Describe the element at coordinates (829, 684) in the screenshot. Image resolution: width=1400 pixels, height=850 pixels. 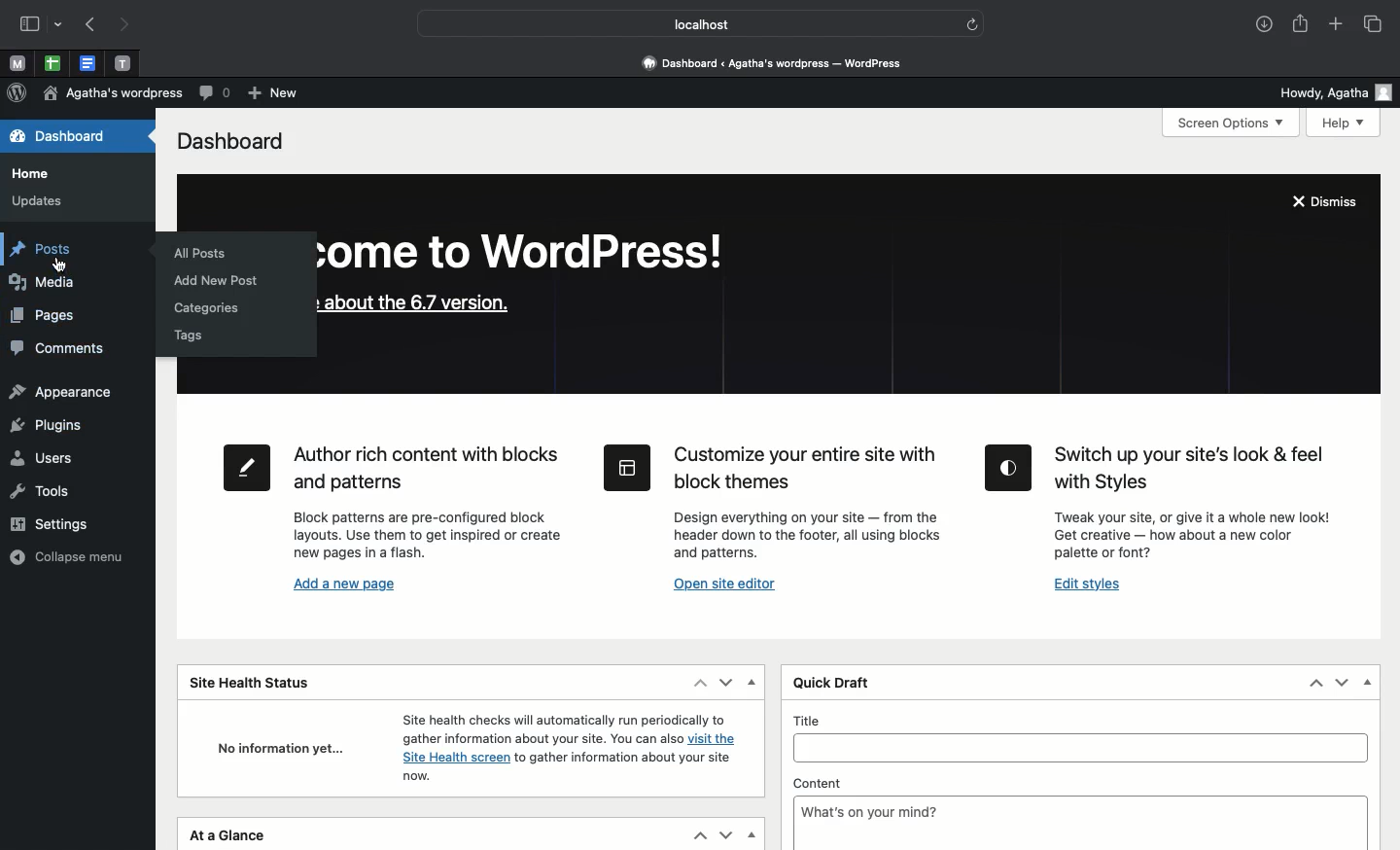
I see `Quick draft` at that location.